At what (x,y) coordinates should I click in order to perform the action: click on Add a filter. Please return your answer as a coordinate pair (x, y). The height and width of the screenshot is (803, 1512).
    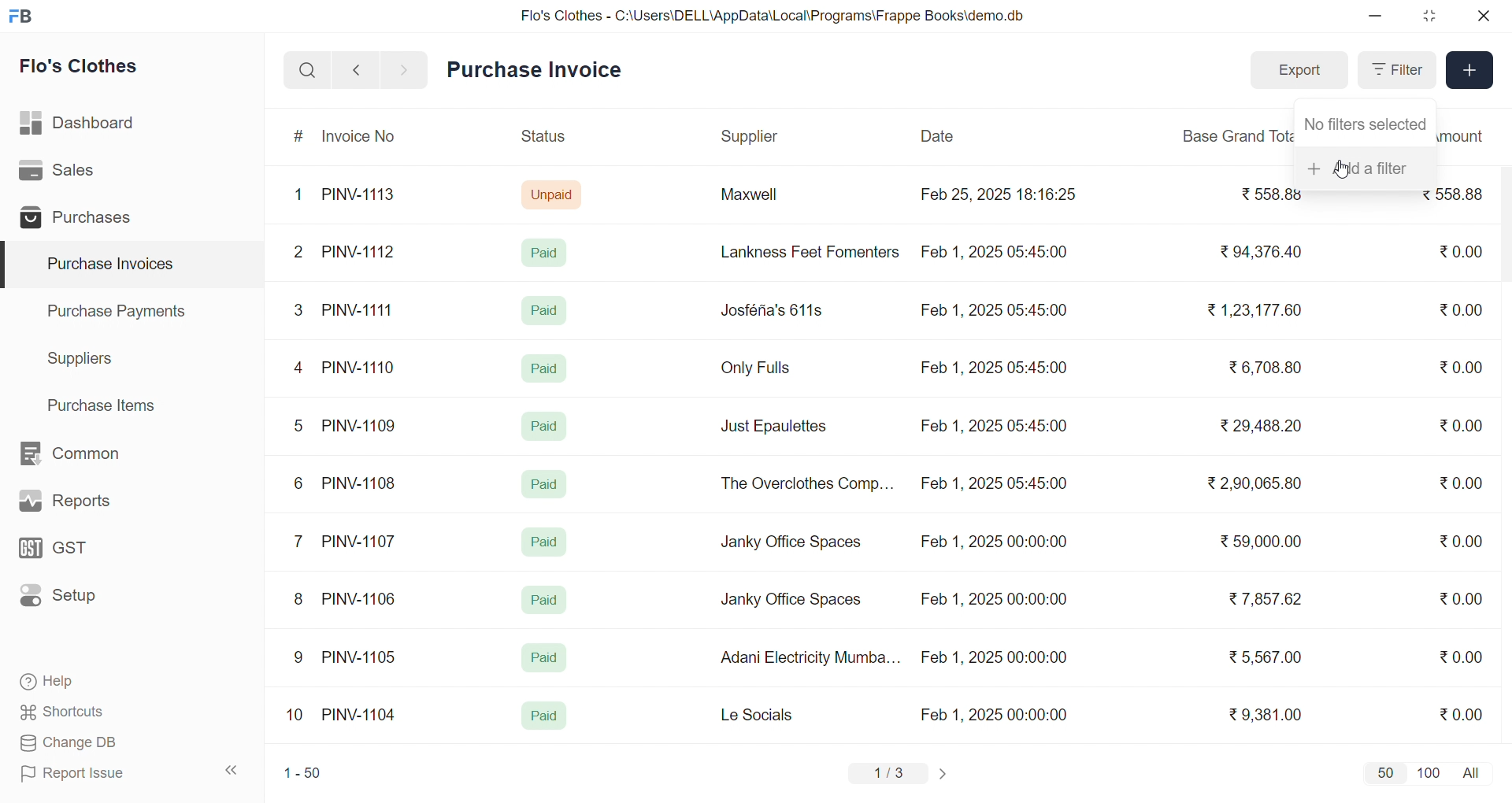
    Looking at the image, I should click on (1366, 166).